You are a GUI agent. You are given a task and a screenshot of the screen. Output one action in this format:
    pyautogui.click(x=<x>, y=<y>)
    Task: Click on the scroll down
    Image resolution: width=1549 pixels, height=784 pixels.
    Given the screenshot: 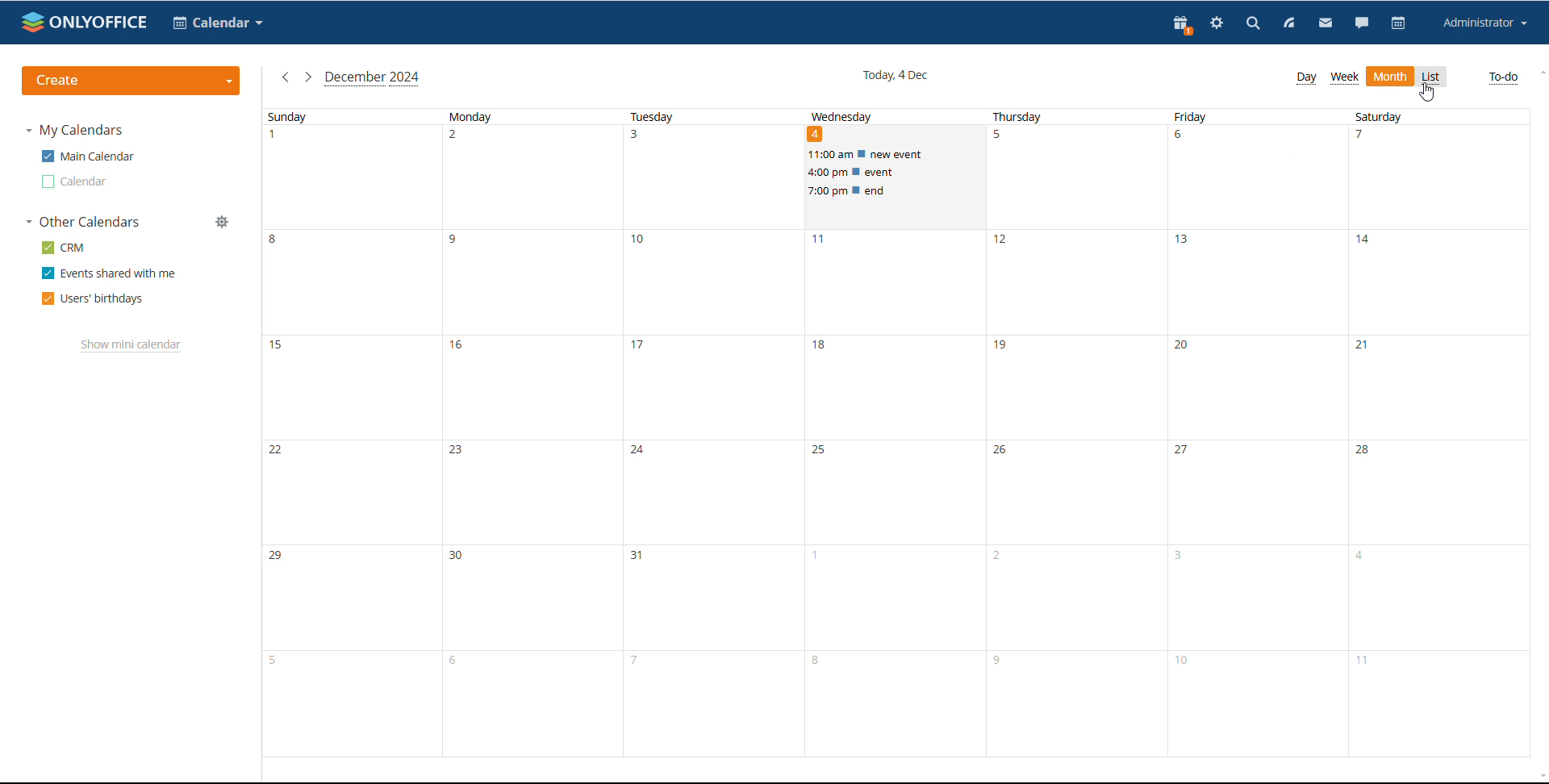 What is the action you would take?
    pyautogui.click(x=1539, y=778)
    